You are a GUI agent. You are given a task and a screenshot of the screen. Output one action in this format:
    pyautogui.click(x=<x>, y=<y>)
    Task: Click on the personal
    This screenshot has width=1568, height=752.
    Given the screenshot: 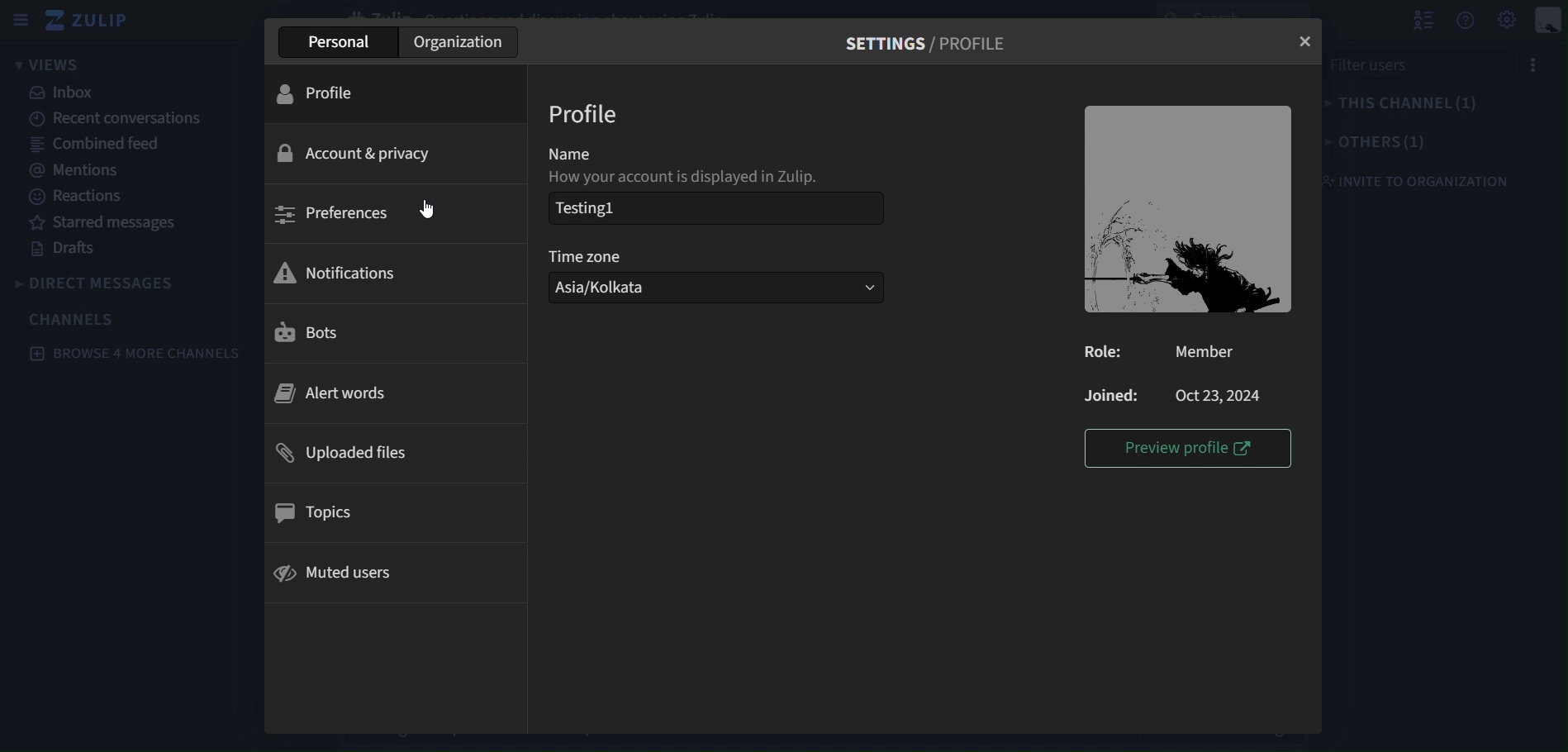 What is the action you would take?
    pyautogui.click(x=336, y=42)
    